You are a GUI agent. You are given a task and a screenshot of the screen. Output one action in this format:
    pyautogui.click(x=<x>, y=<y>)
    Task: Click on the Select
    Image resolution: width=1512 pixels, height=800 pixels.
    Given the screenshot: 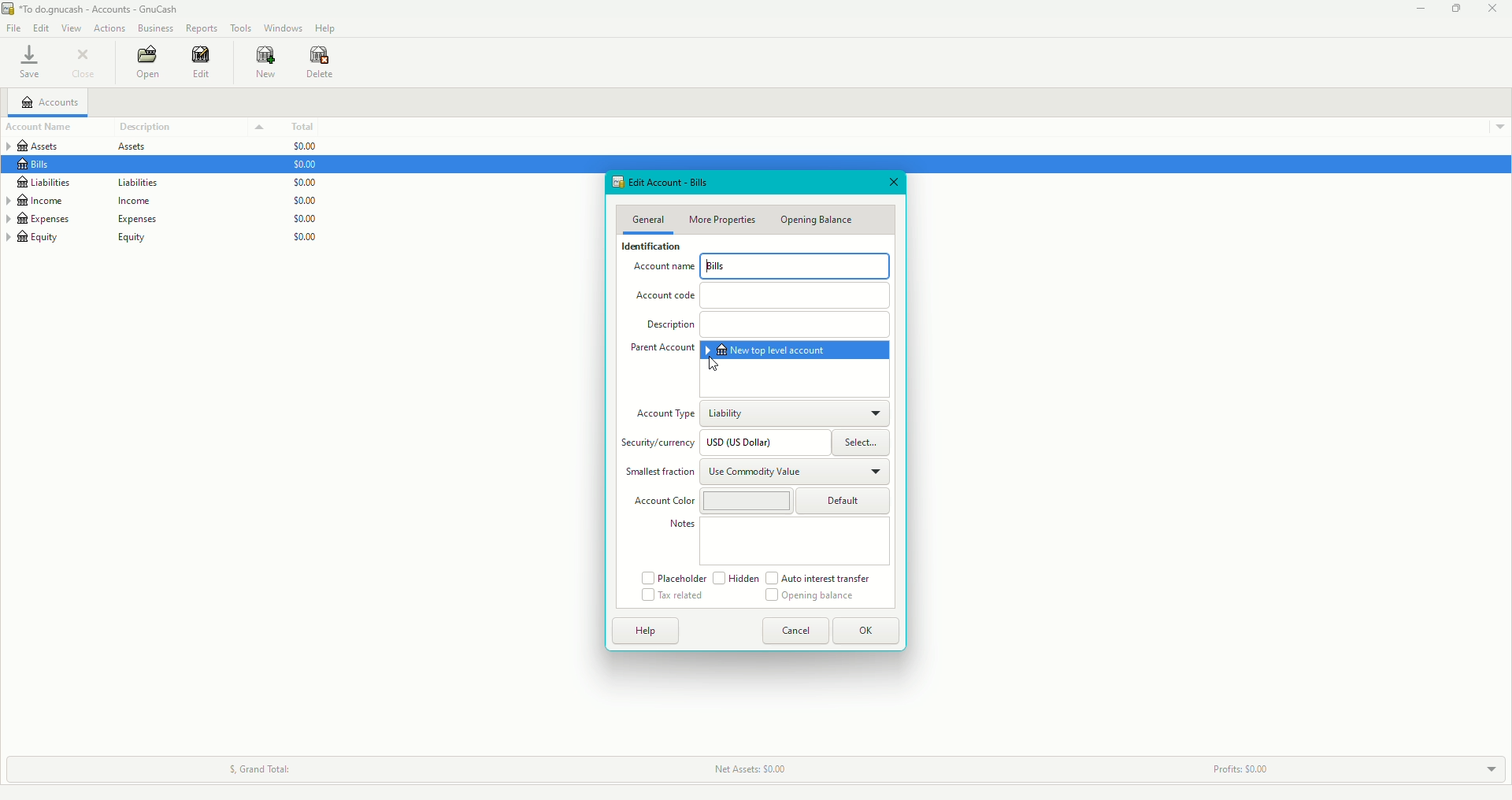 What is the action you would take?
    pyautogui.click(x=866, y=443)
    